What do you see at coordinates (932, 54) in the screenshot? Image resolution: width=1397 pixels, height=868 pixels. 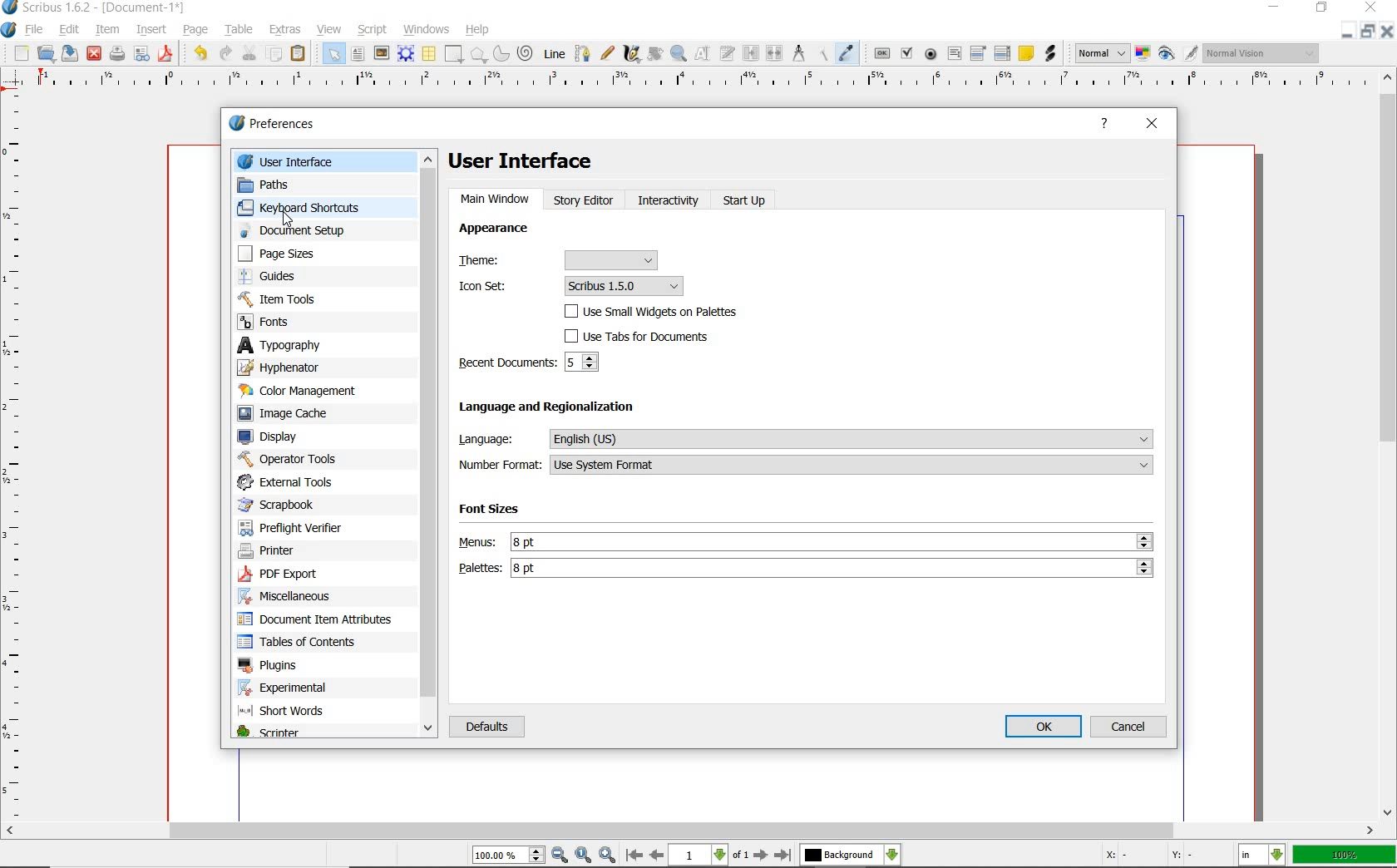 I see `pdf radio button` at bounding box center [932, 54].